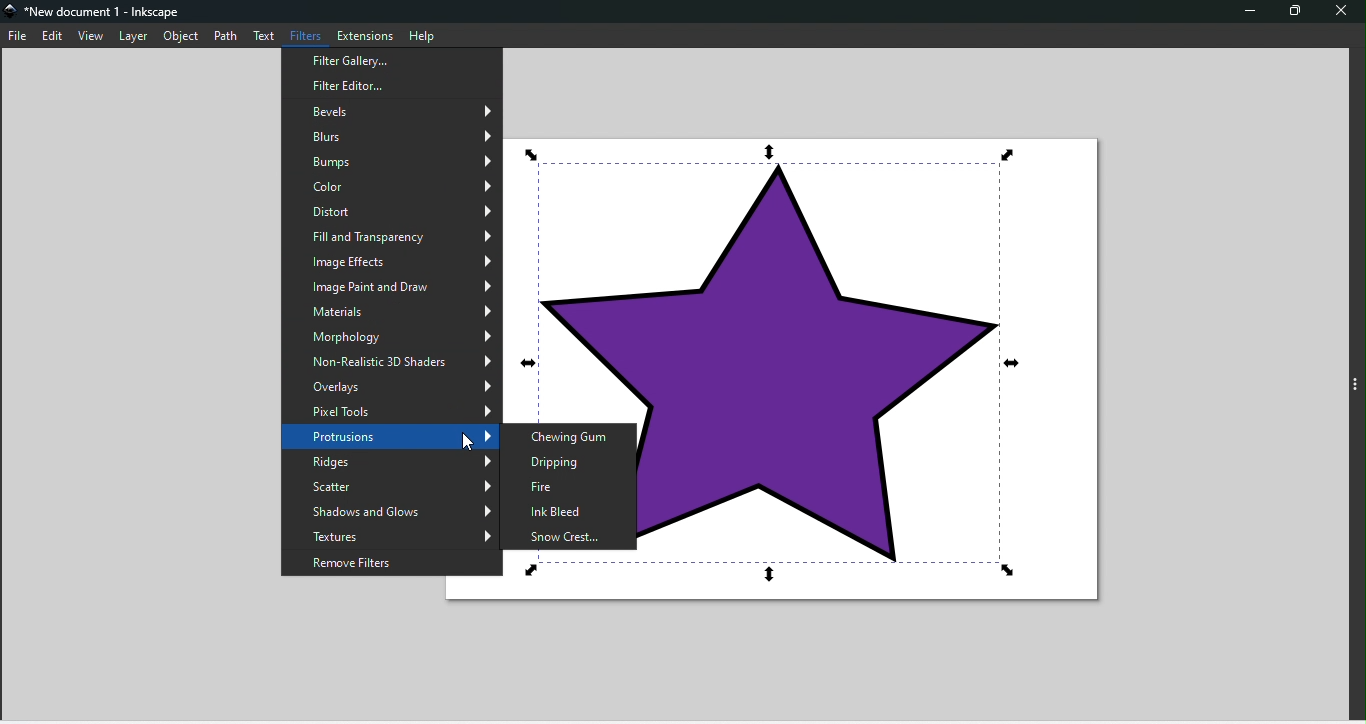 This screenshot has height=724, width=1366. I want to click on Layer, so click(135, 36).